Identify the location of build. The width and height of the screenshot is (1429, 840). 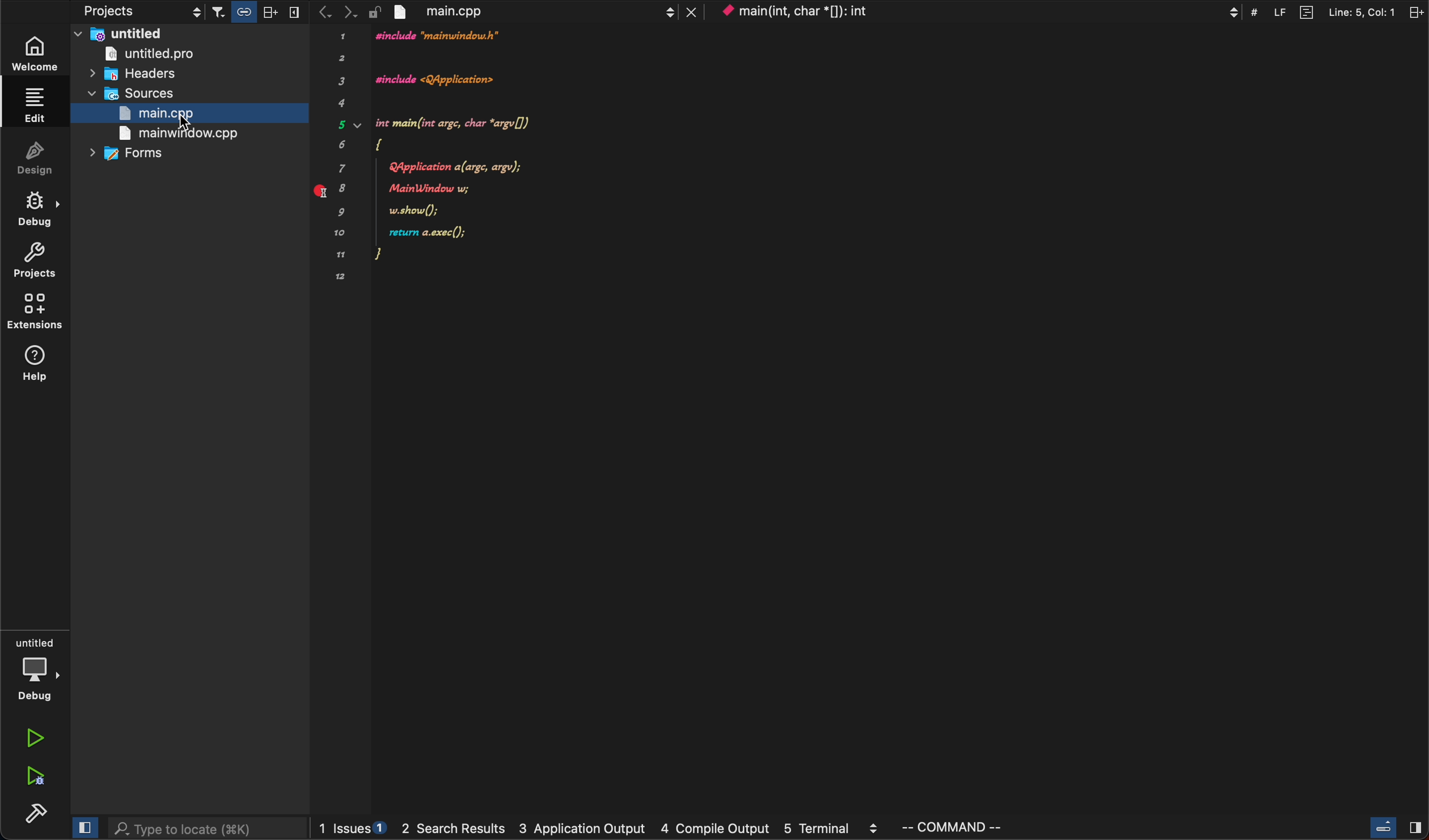
(33, 816).